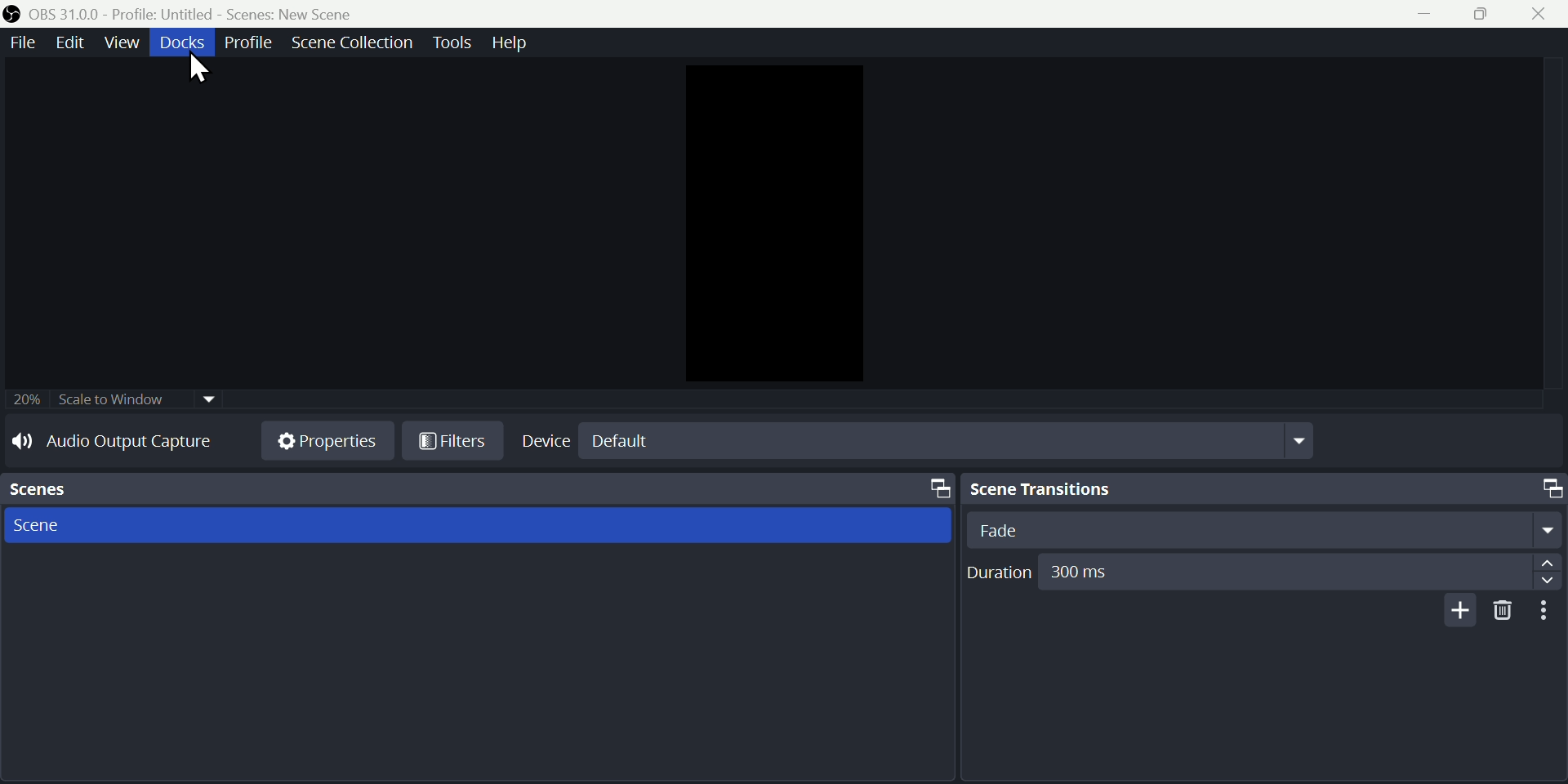 The width and height of the screenshot is (1568, 784). Describe the element at coordinates (1537, 16) in the screenshot. I see `close` at that location.